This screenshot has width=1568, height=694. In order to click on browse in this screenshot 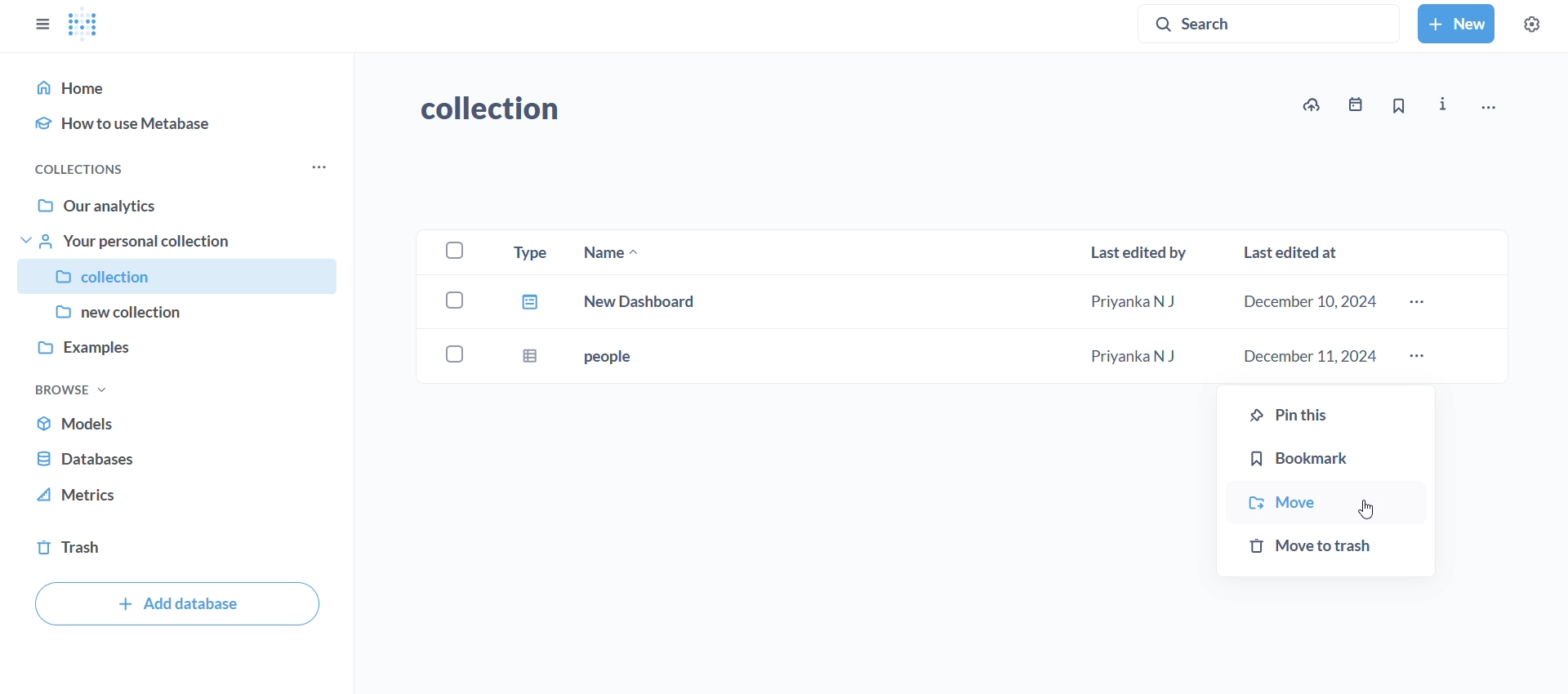, I will do `click(71, 389)`.